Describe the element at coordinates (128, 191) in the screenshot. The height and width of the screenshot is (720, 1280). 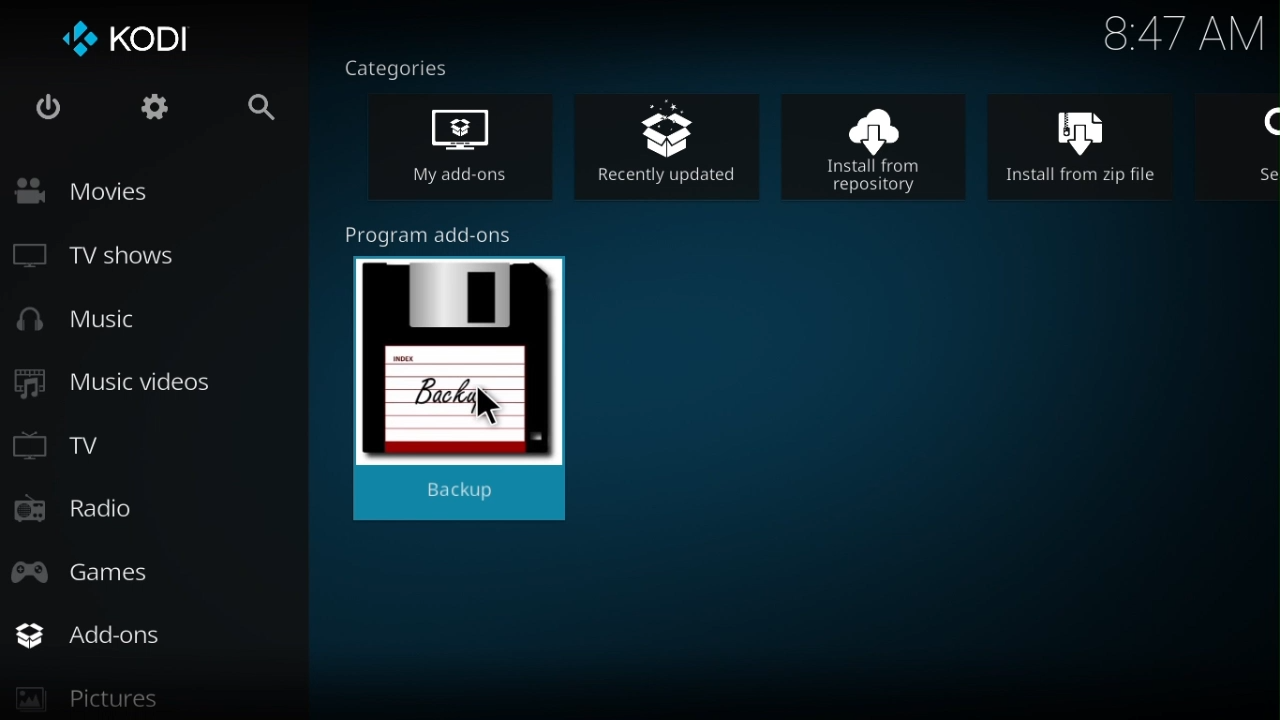
I see `Movies` at that location.